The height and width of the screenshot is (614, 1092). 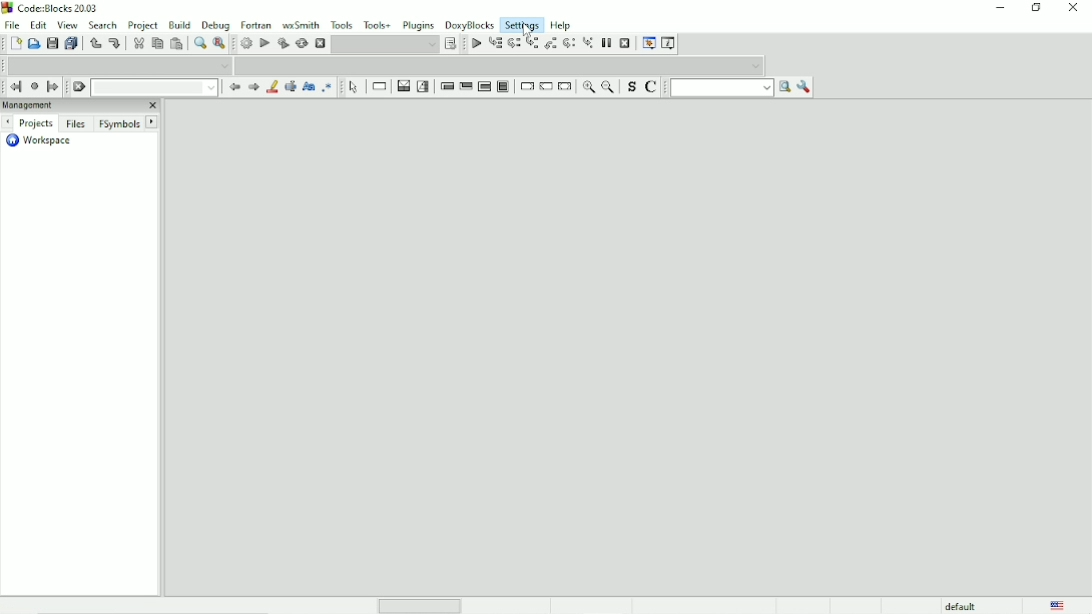 What do you see at coordinates (35, 123) in the screenshot?
I see `Projects` at bounding box center [35, 123].